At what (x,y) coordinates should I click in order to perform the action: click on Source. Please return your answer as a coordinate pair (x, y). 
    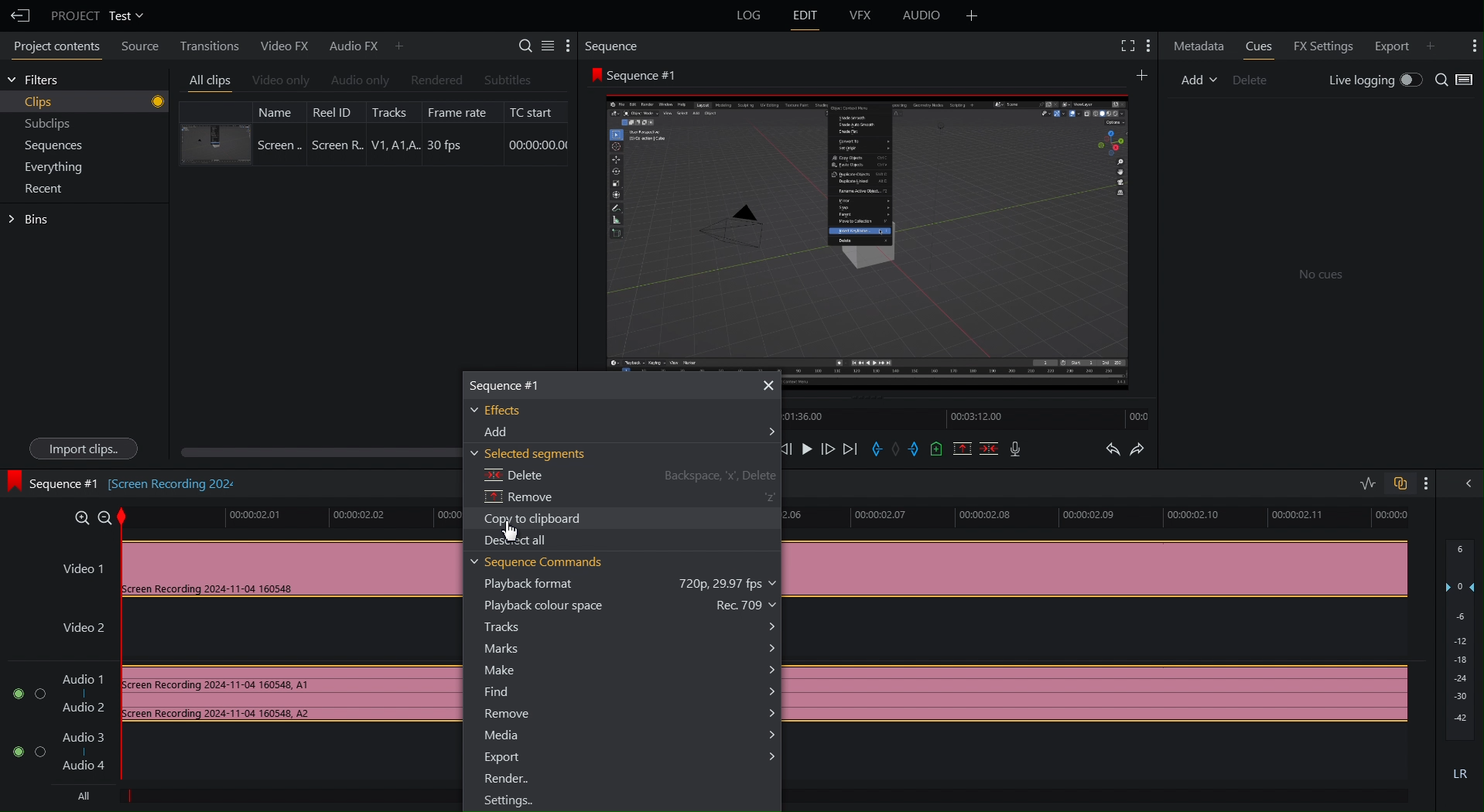
    Looking at the image, I should click on (142, 46).